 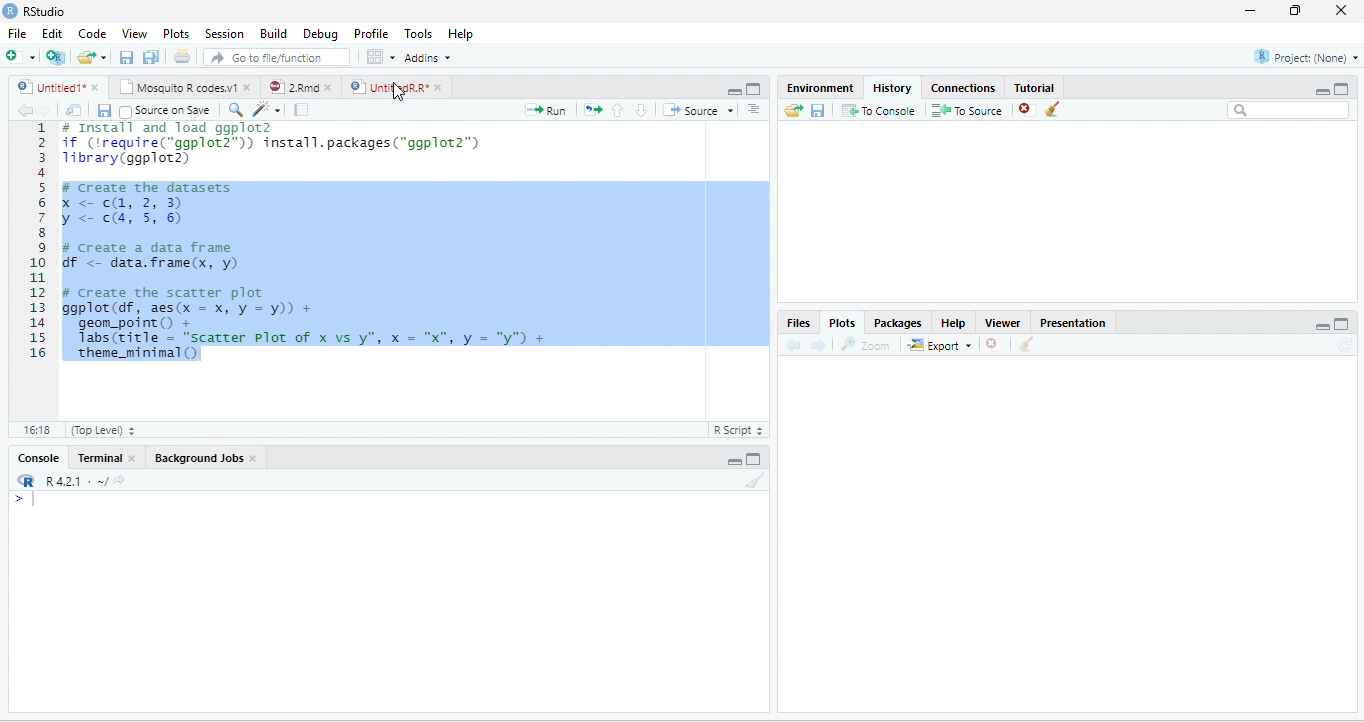 I want to click on Load history from an existing file, so click(x=792, y=111).